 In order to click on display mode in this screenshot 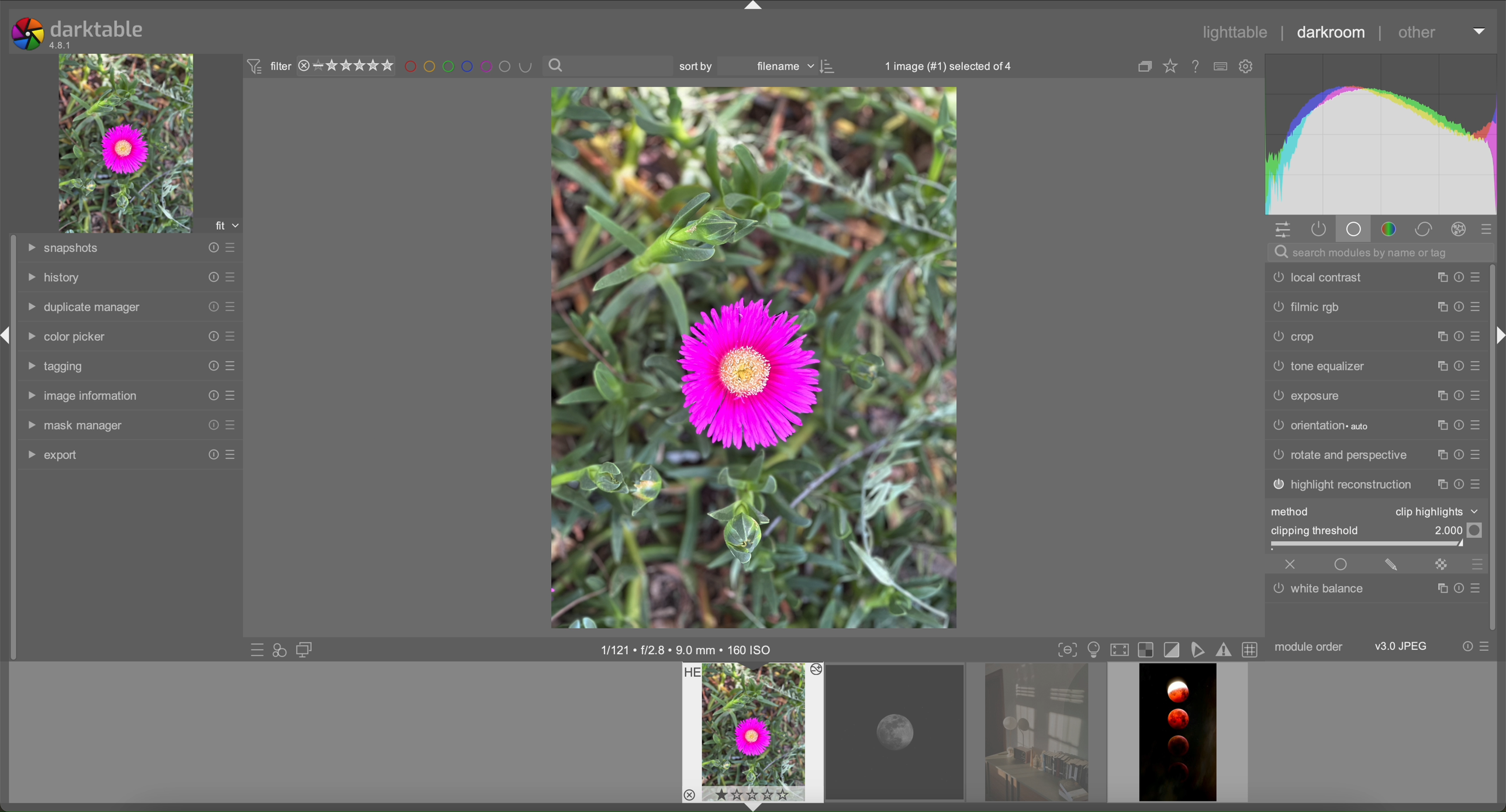, I will do `click(1093, 650)`.